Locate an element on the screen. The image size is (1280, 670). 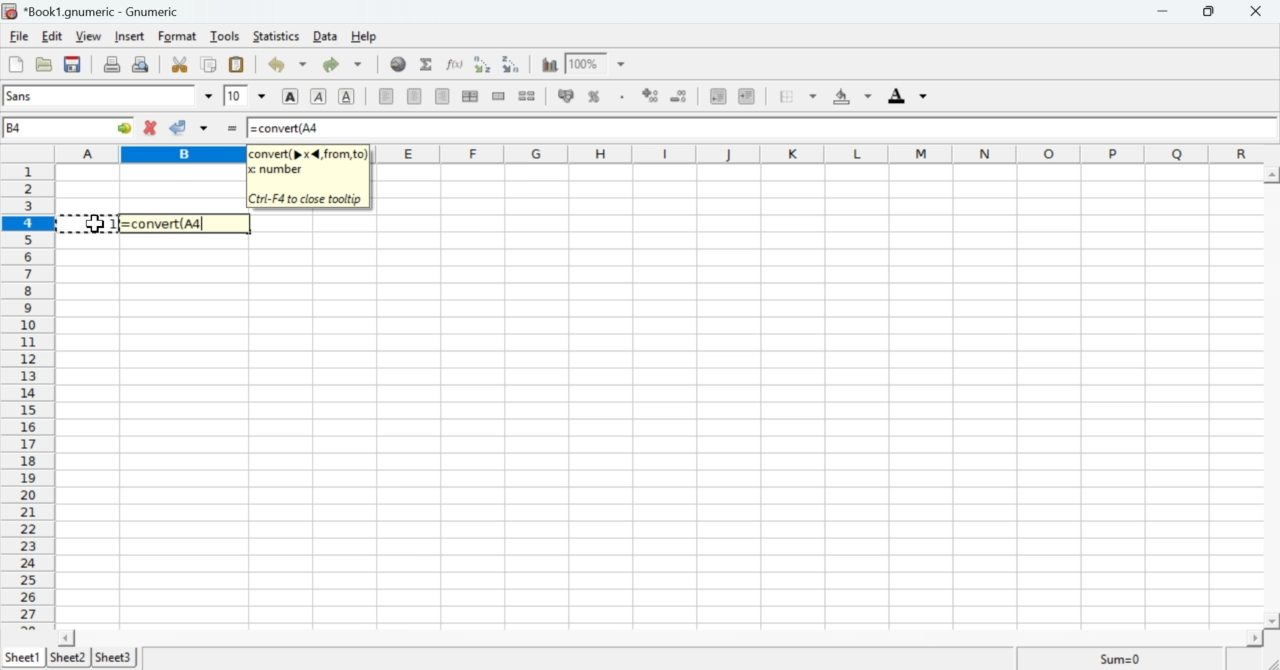
=convert(A4 is located at coordinates (186, 223).